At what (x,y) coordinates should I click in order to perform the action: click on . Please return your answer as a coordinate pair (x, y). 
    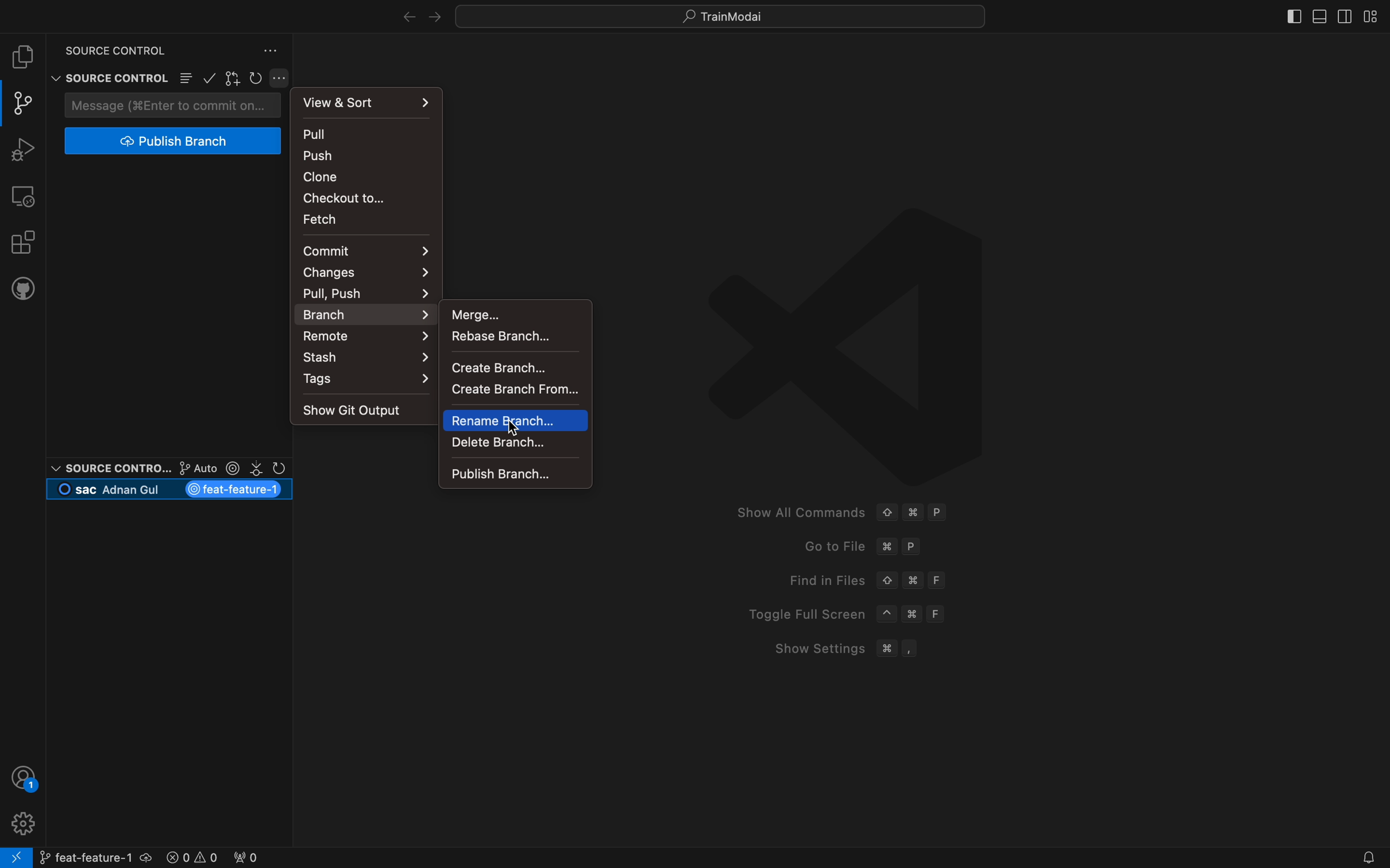
    Looking at the image, I should click on (185, 80).